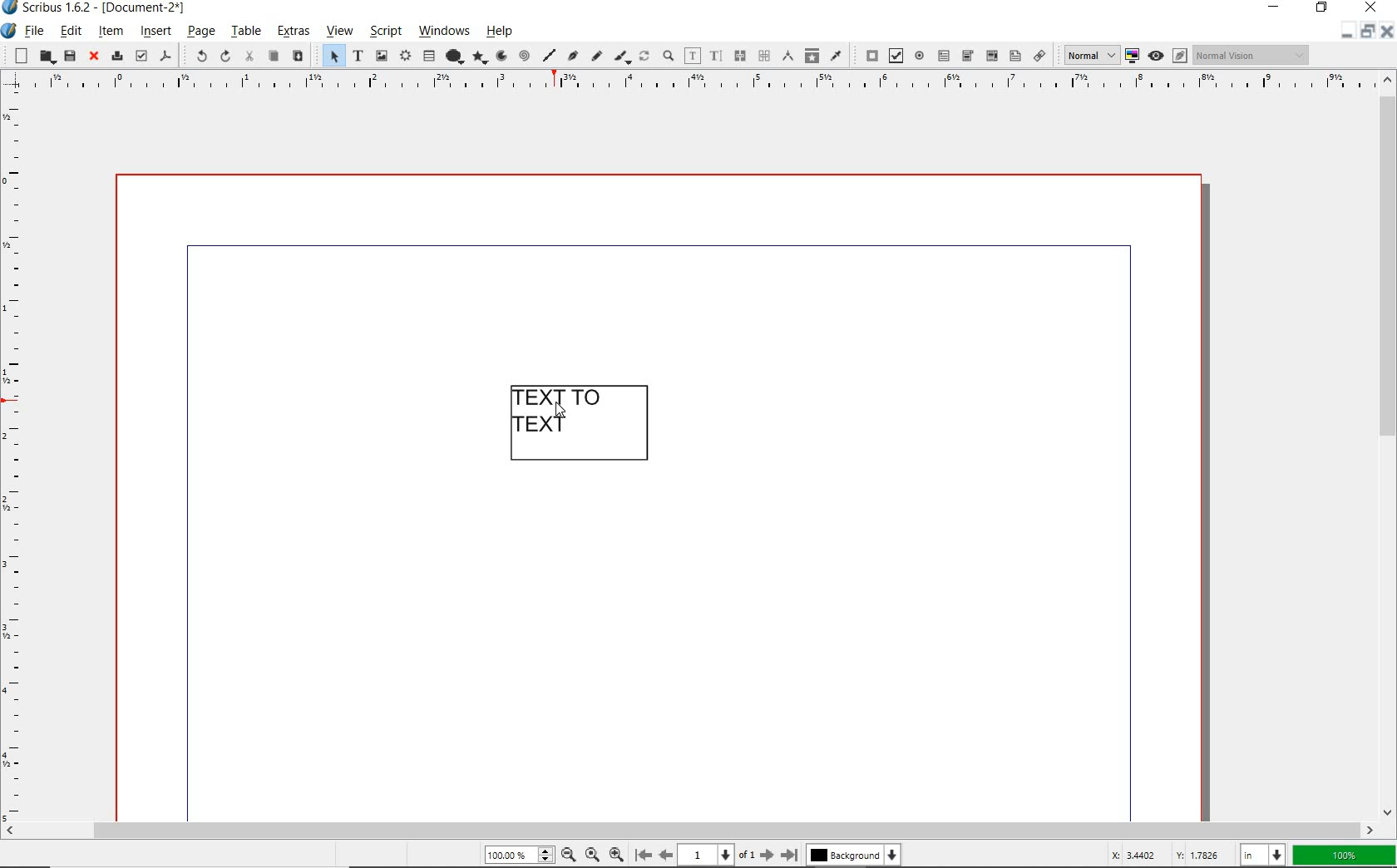 The image size is (1397, 868). I want to click on pdf text field, so click(944, 55).